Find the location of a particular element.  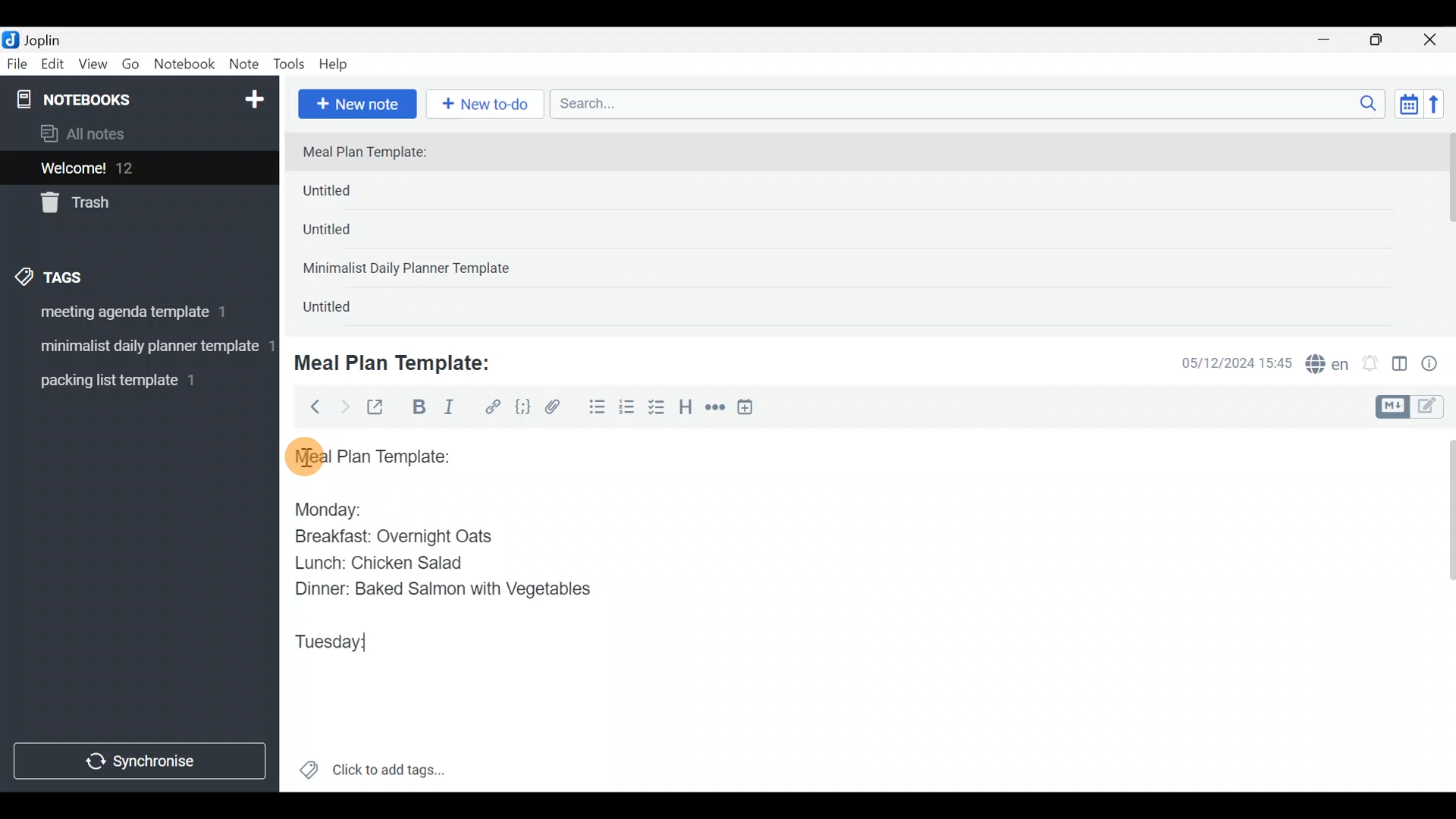

Meal plan template is located at coordinates (367, 454).